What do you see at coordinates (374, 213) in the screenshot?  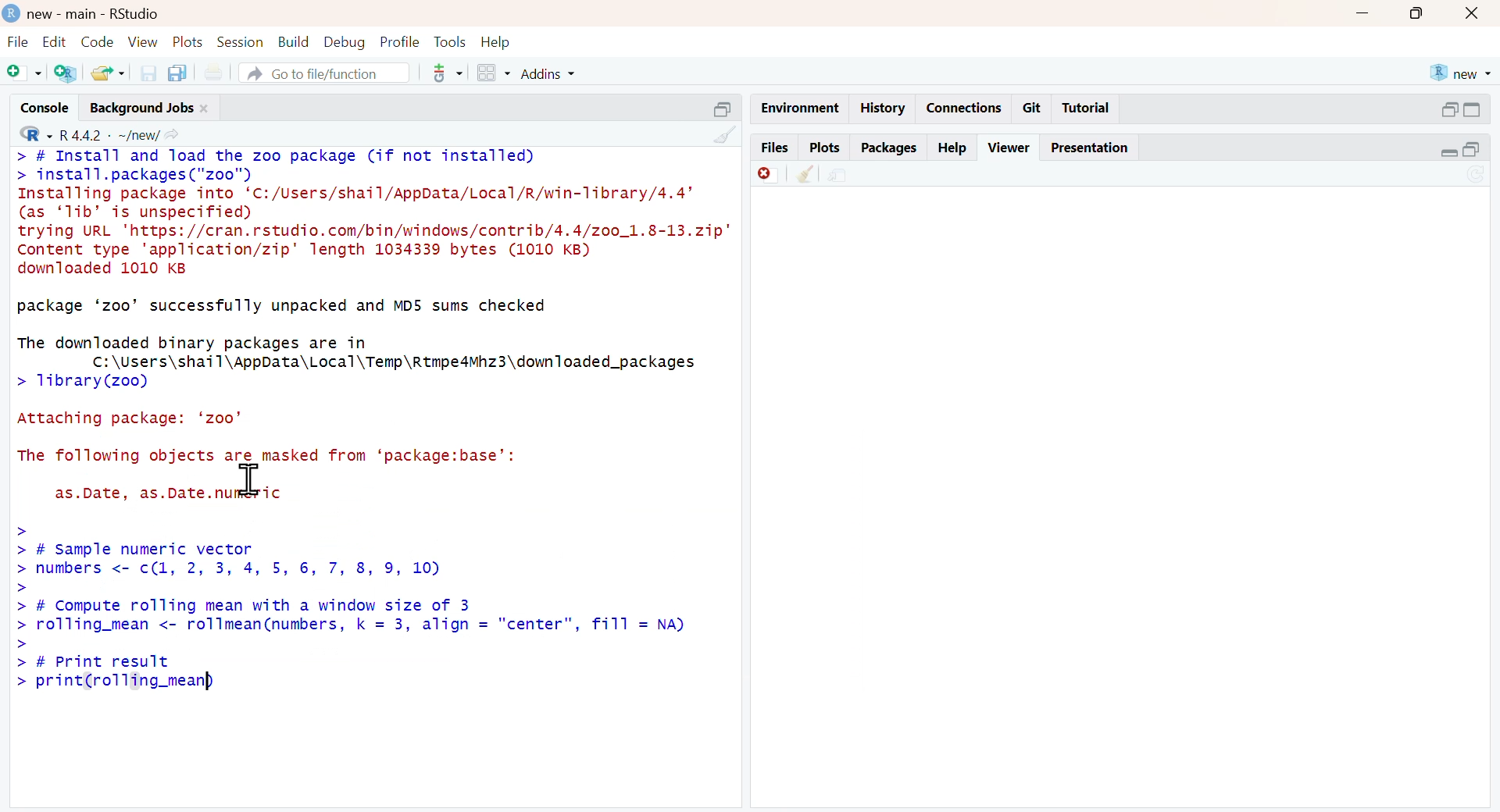 I see `> # Install and Toad the zoo package (if not installed)

> install.packages ("zoo")

Installing package into ‘C:/Users/shail/AppData/Local/R/win-Tibrary/4.4’

(as ‘1ib’ dis unspecified)

trying URL 'https://cran.rstudio.com/bin/windows/contrib/4.4/zo0_1.8-13.zip"
Content type 'application/zip' length 1034339 bytes (1010 KB)

downloaded 1010 KB` at bounding box center [374, 213].